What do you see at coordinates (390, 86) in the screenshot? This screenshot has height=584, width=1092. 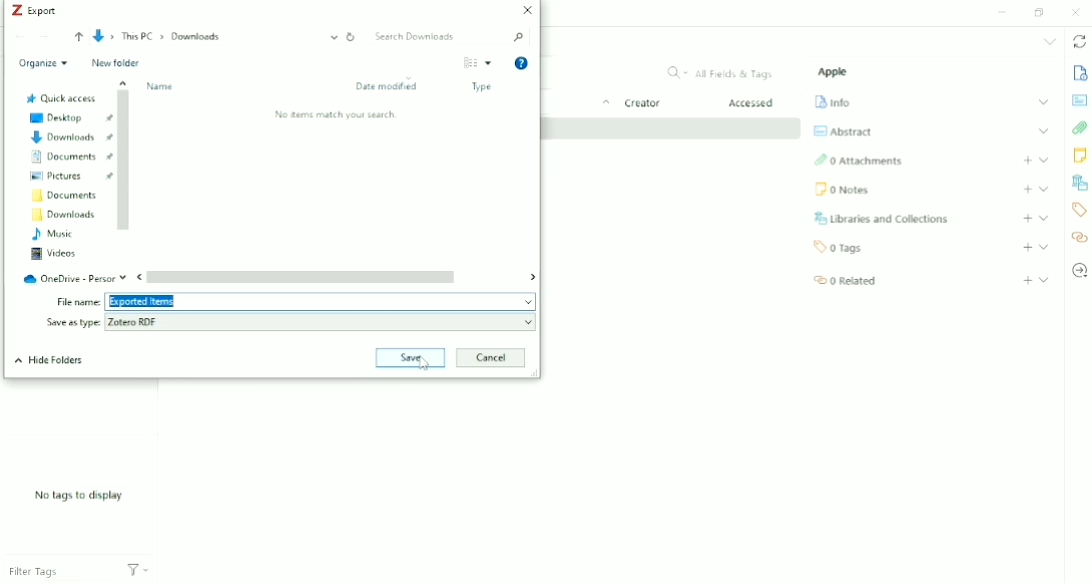 I see `Date modified` at bounding box center [390, 86].